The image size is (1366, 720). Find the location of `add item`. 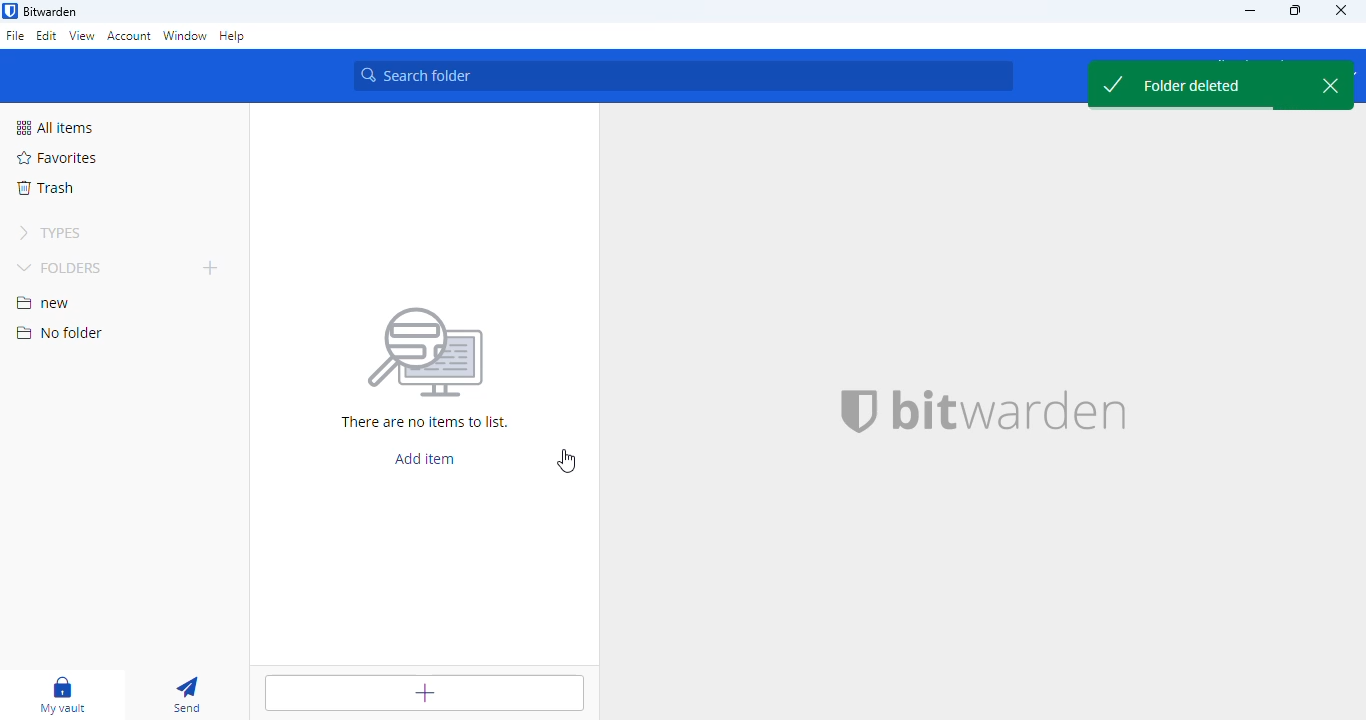

add item is located at coordinates (423, 459).